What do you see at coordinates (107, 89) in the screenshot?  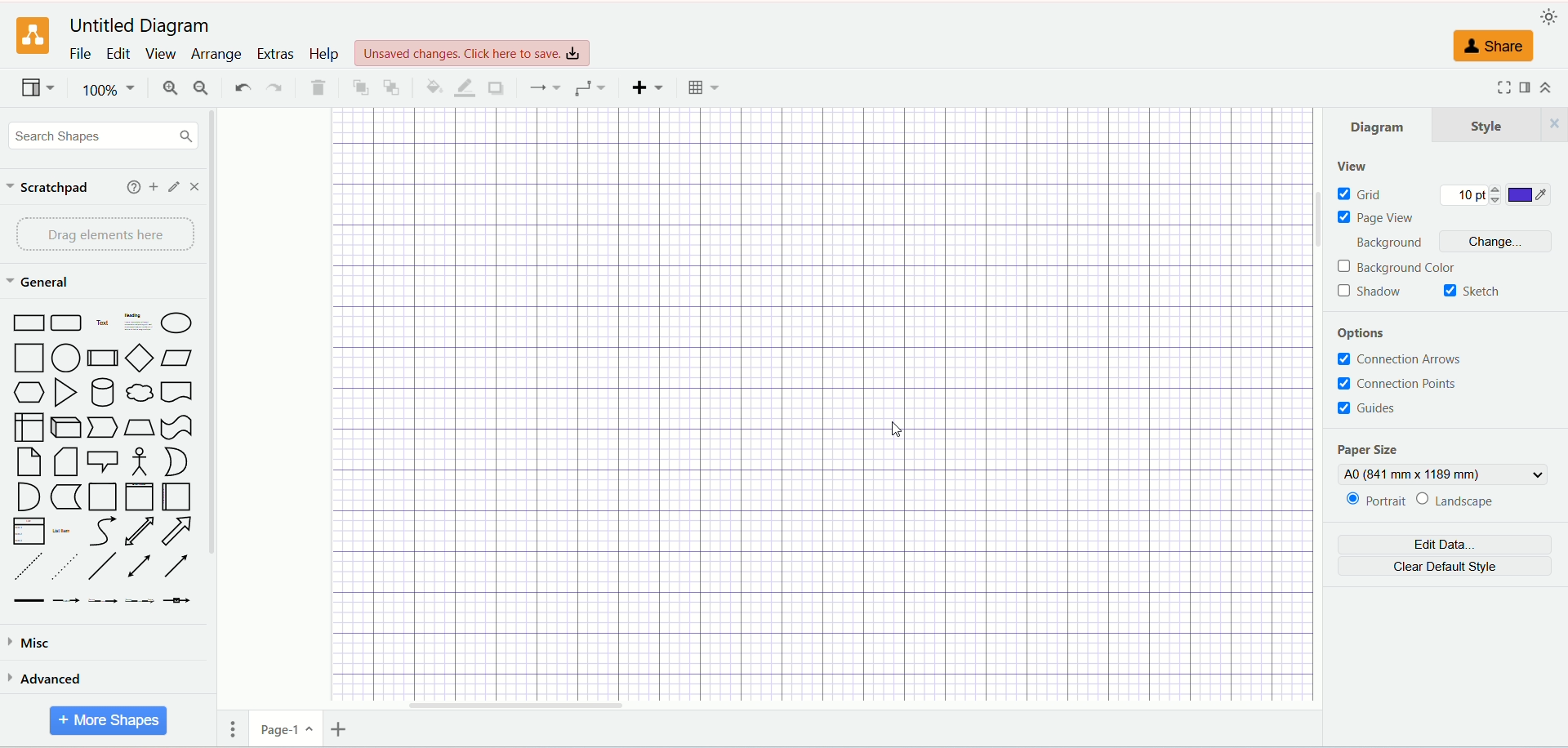 I see `100%` at bounding box center [107, 89].